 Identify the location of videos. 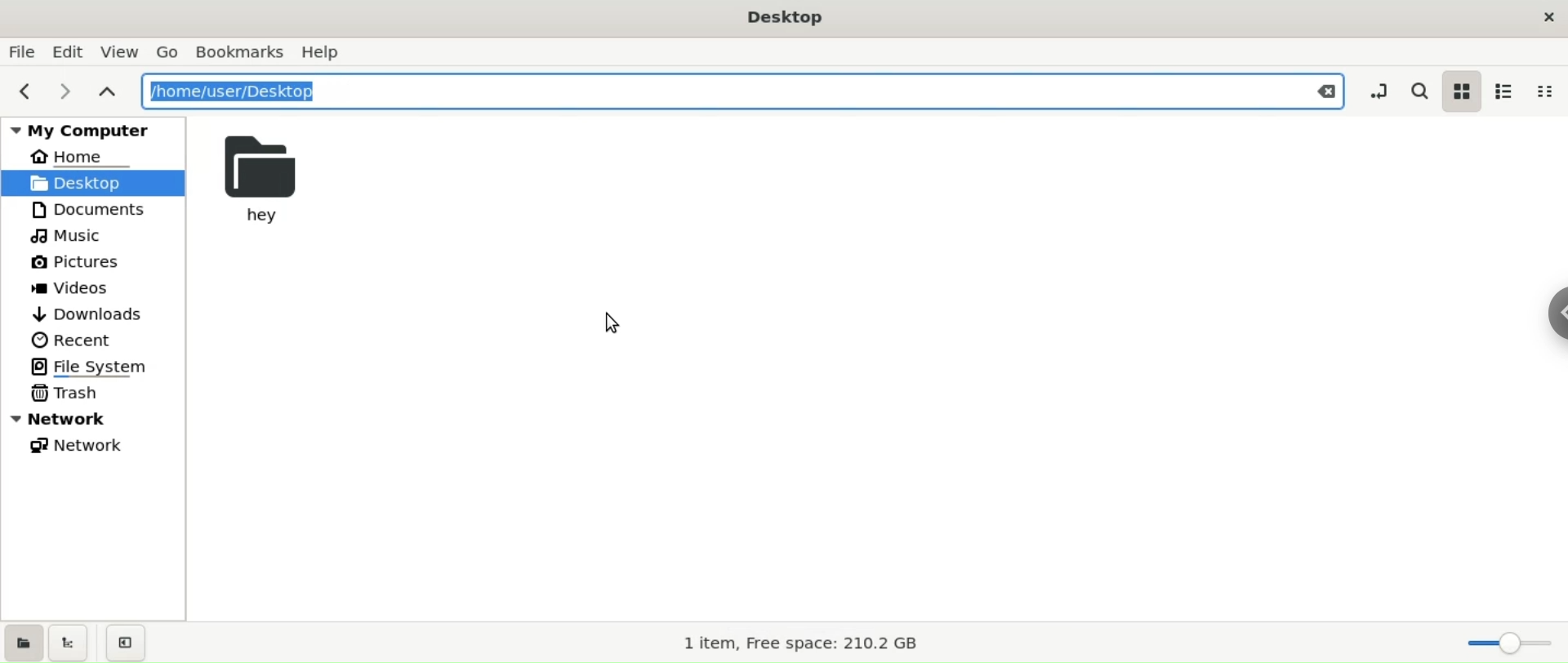
(76, 287).